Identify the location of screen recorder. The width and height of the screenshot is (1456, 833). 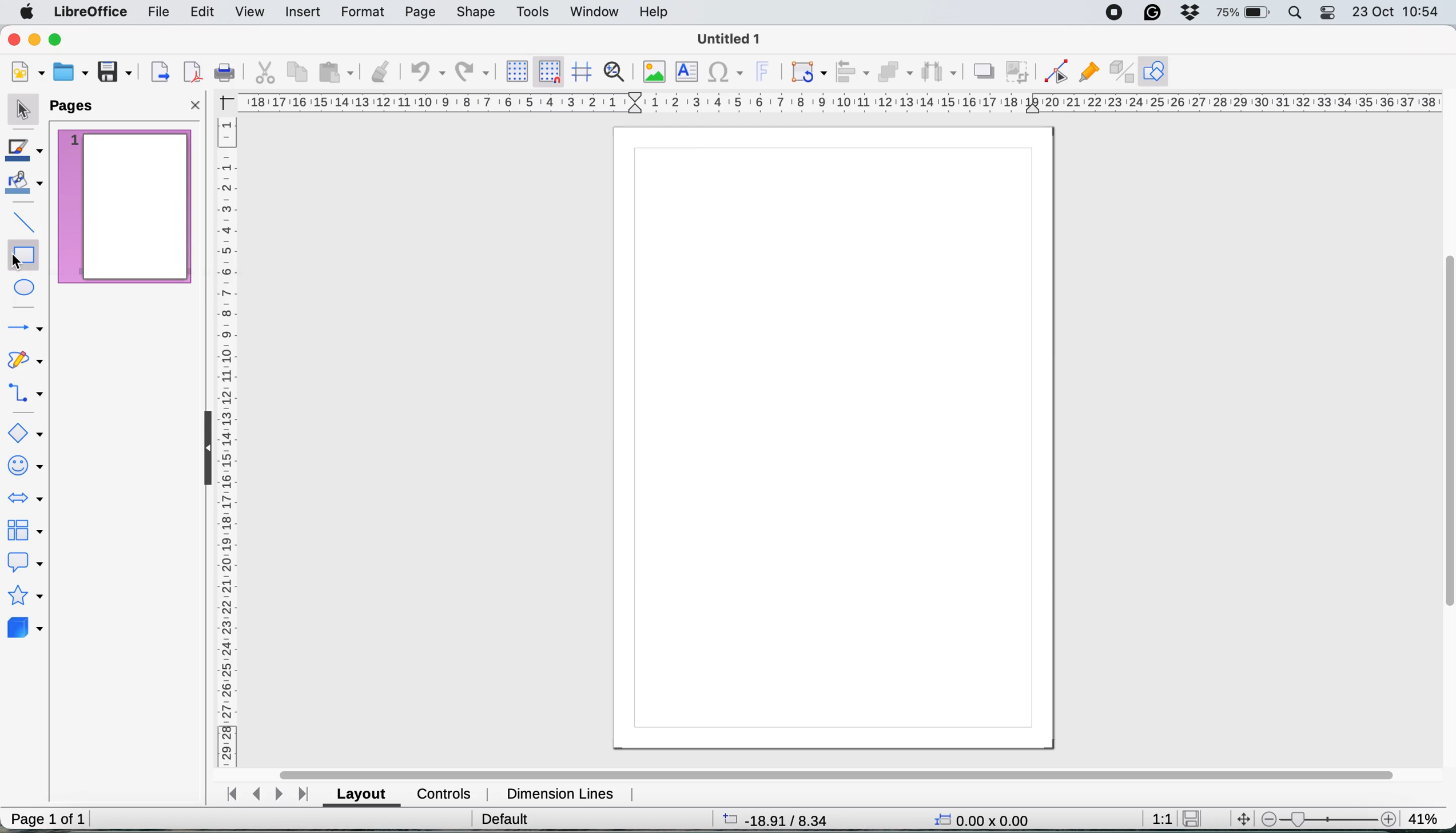
(1112, 13).